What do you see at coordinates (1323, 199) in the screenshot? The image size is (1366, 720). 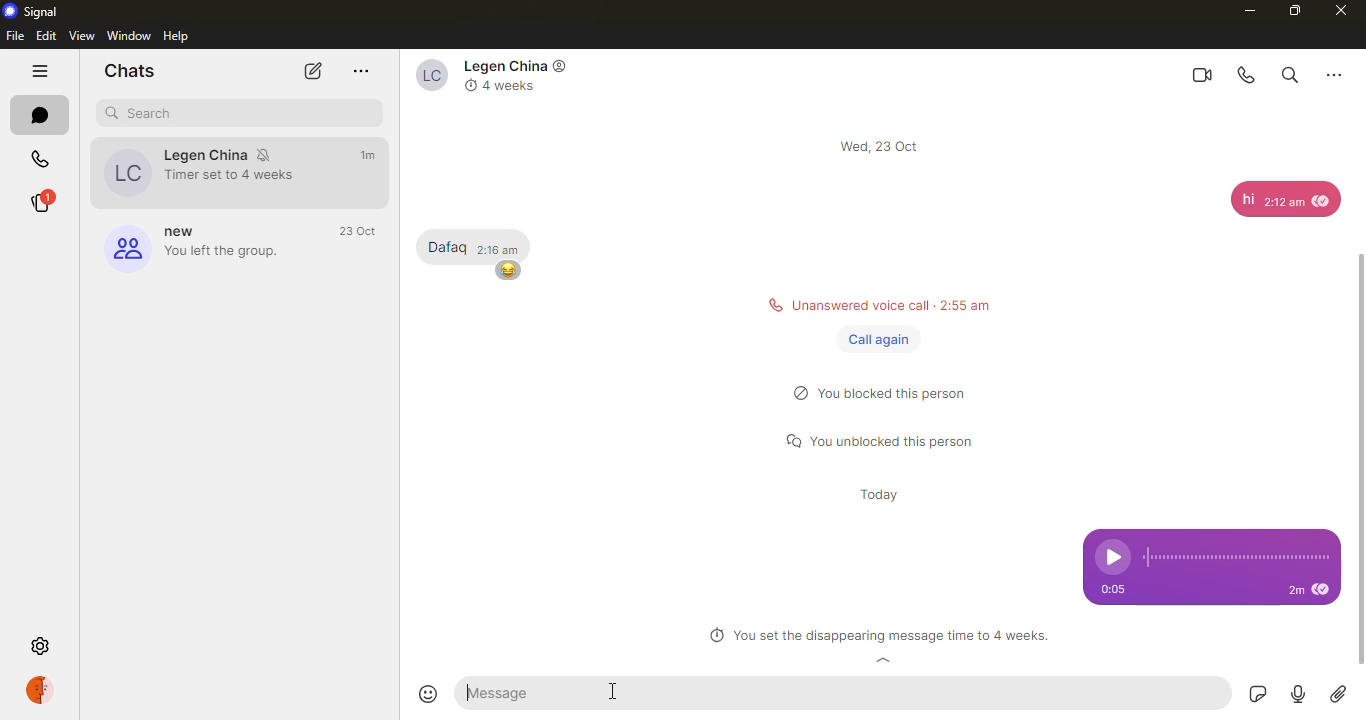 I see `seen` at bounding box center [1323, 199].